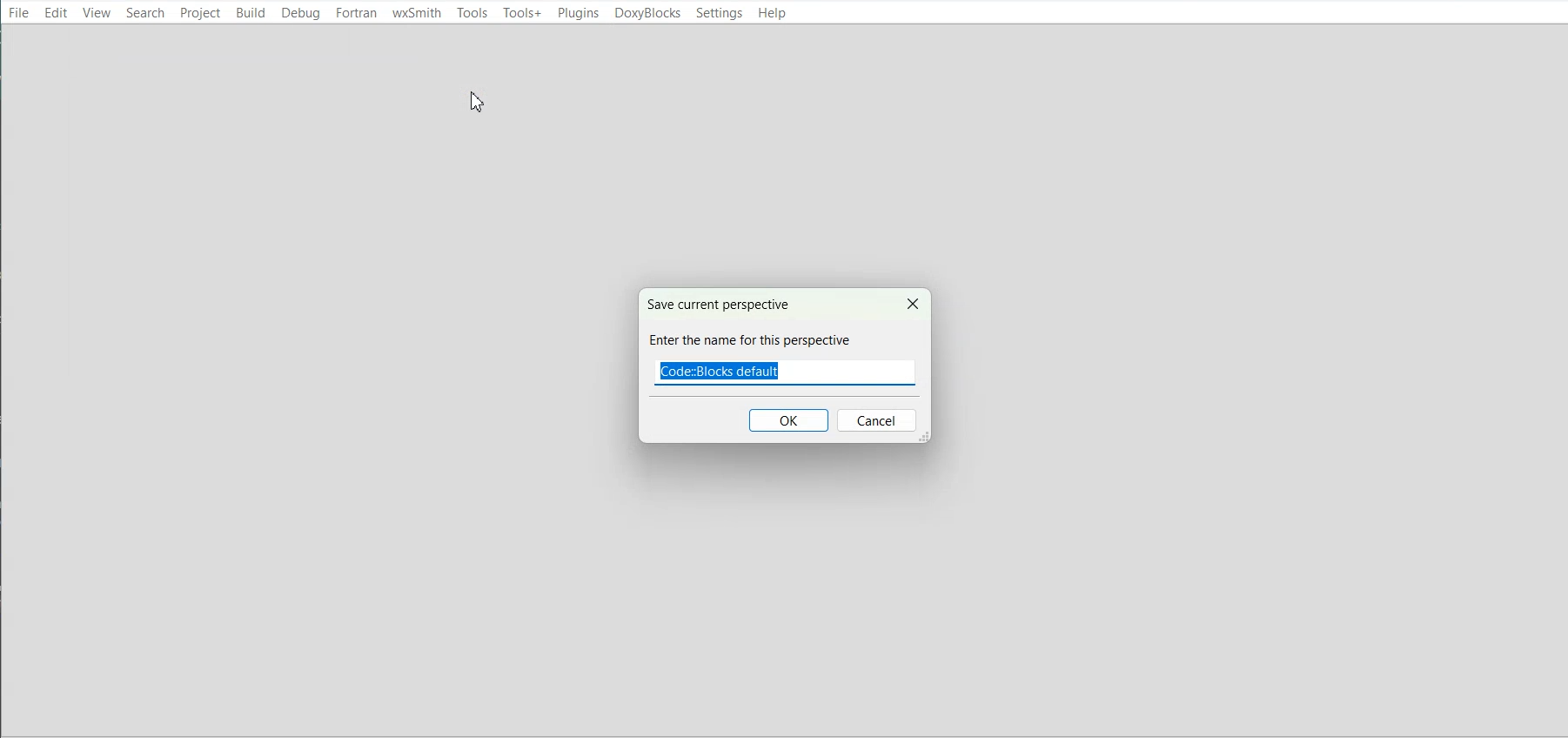  What do you see at coordinates (302, 13) in the screenshot?
I see `Debug` at bounding box center [302, 13].